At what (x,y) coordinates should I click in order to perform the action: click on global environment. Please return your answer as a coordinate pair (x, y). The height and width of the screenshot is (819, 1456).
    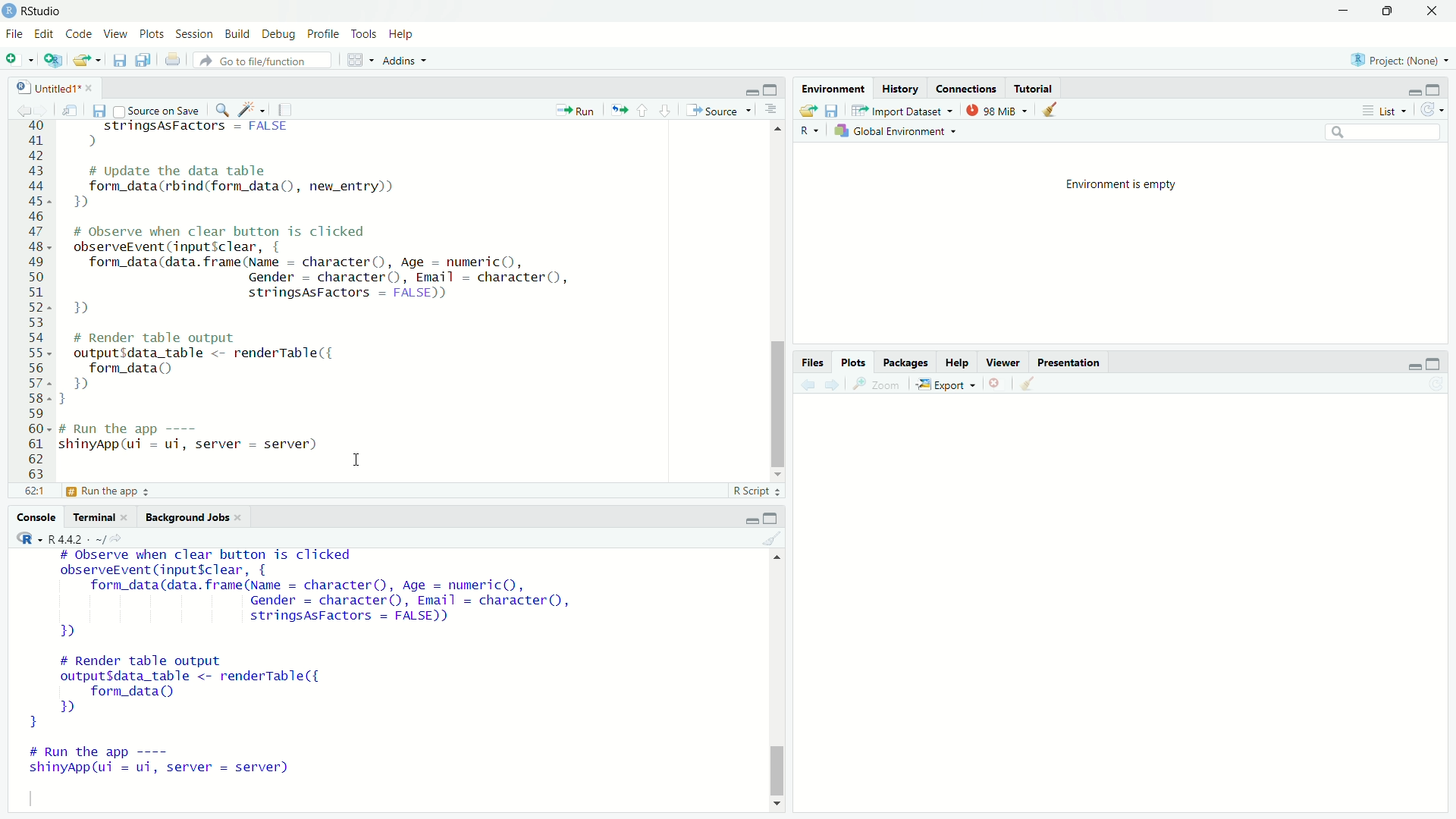
    Looking at the image, I should click on (899, 132).